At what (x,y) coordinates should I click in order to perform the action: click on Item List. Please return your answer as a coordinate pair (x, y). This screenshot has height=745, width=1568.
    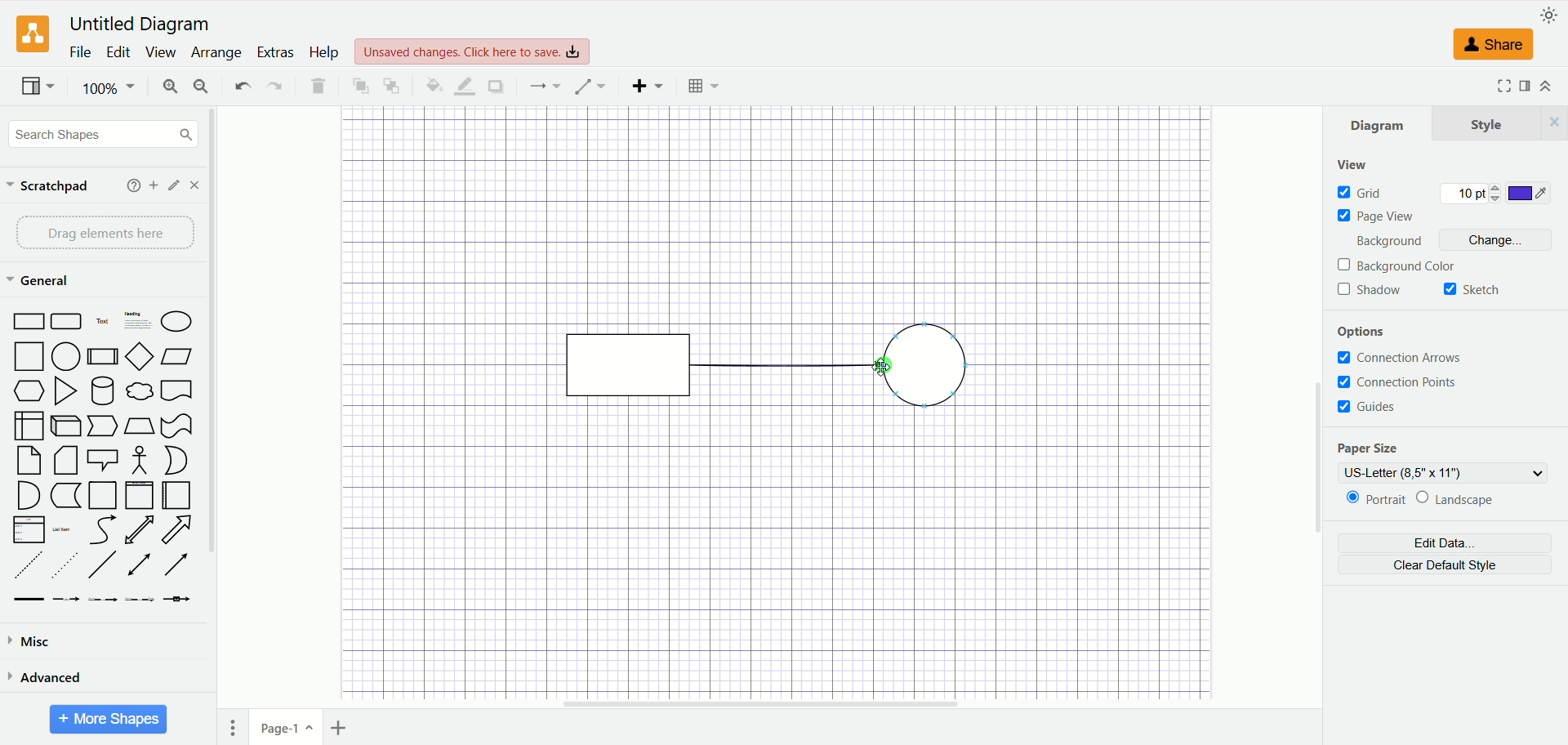
    Looking at the image, I should click on (28, 529).